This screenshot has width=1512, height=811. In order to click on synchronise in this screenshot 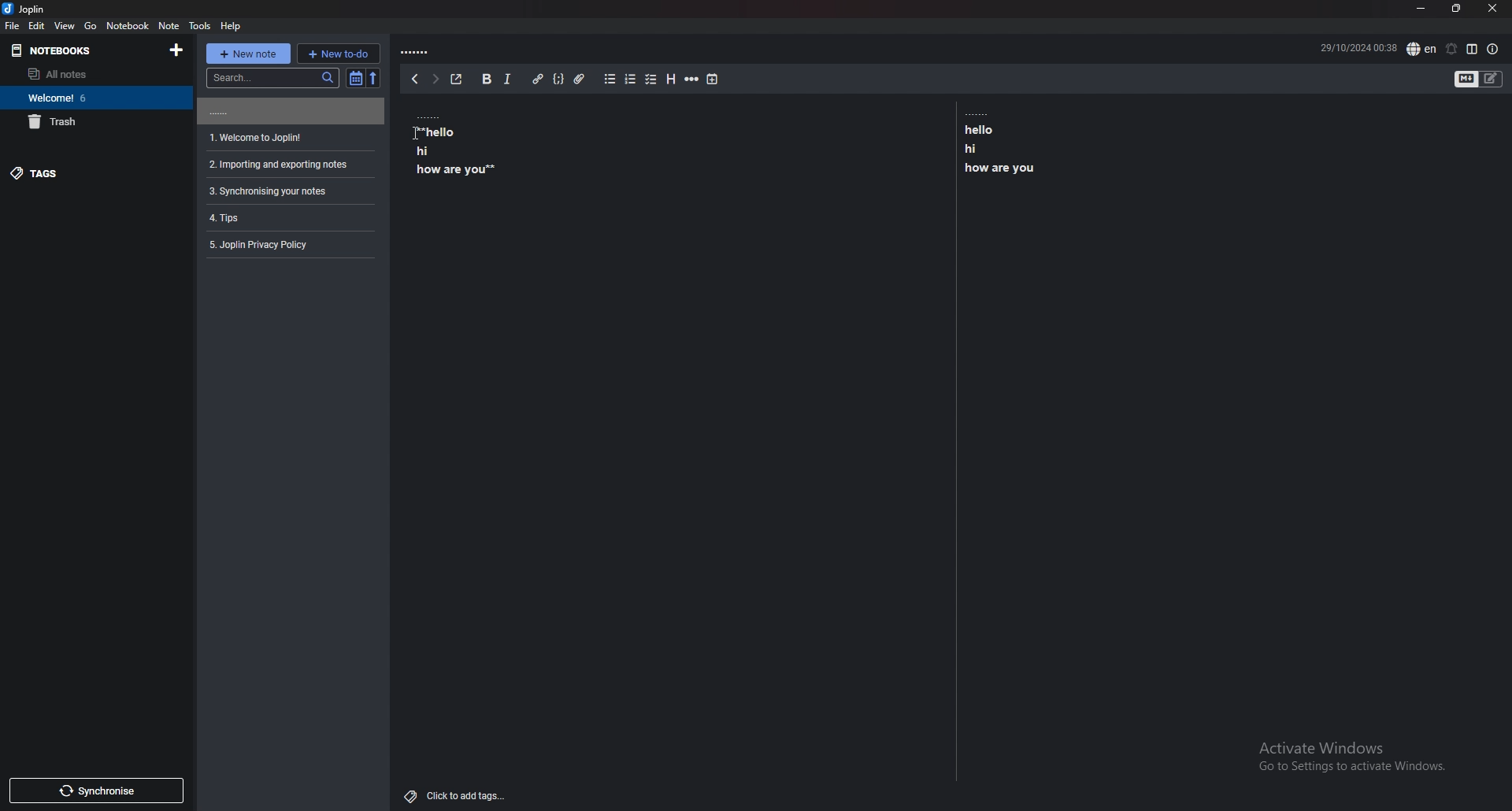, I will do `click(97, 791)`.